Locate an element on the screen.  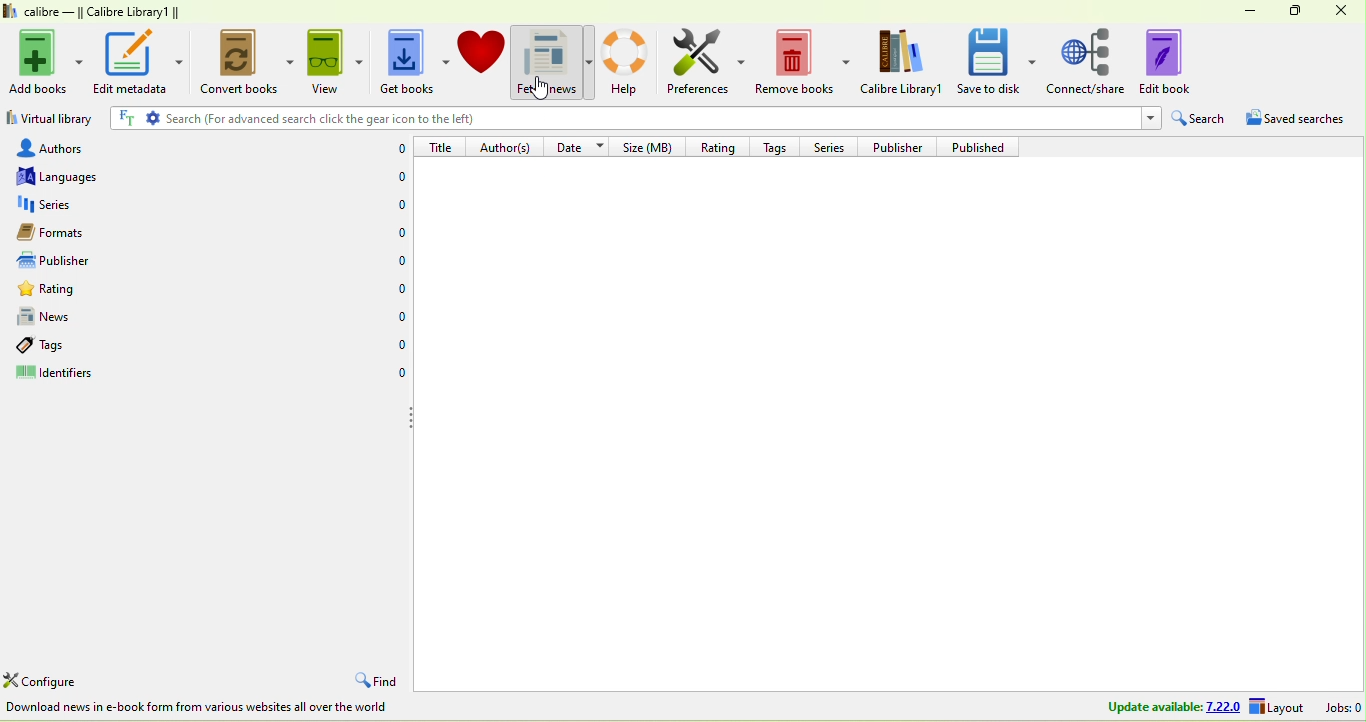
published is located at coordinates (987, 145).